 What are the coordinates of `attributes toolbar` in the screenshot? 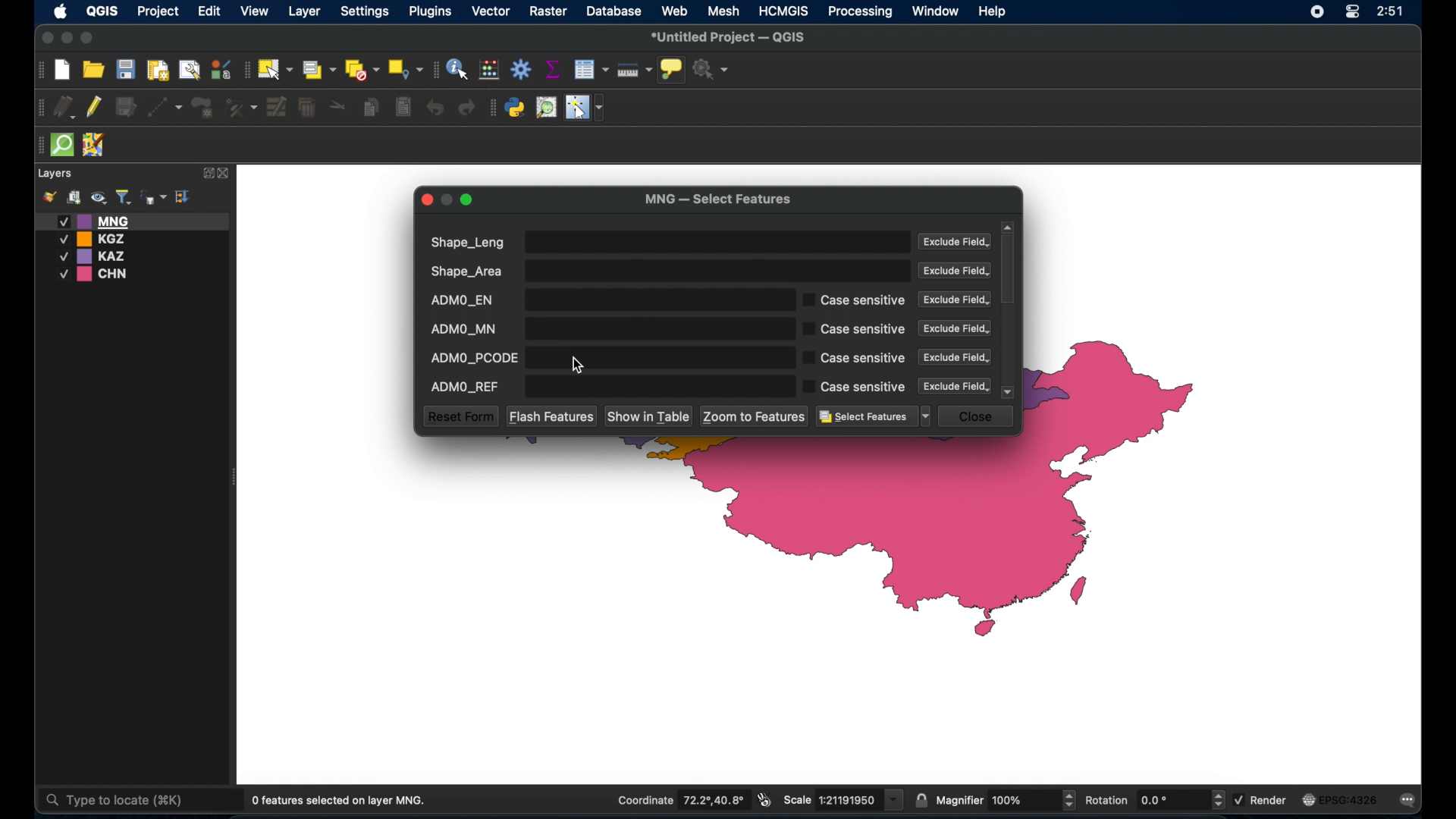 It's located at (435, 70).